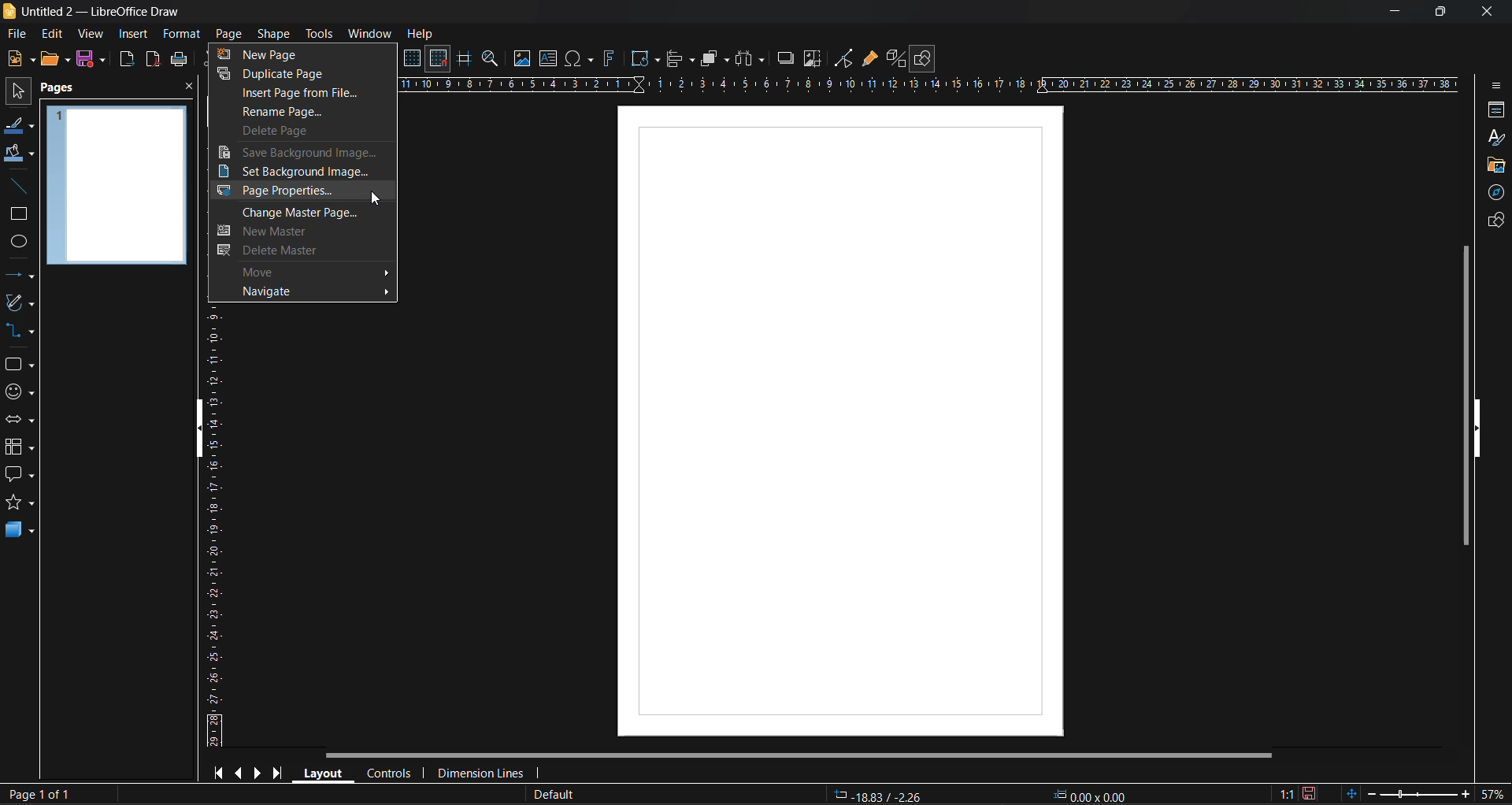  Describe the element at coordinates (612, 61) in the screenshot. I see `fontwork` at that location.